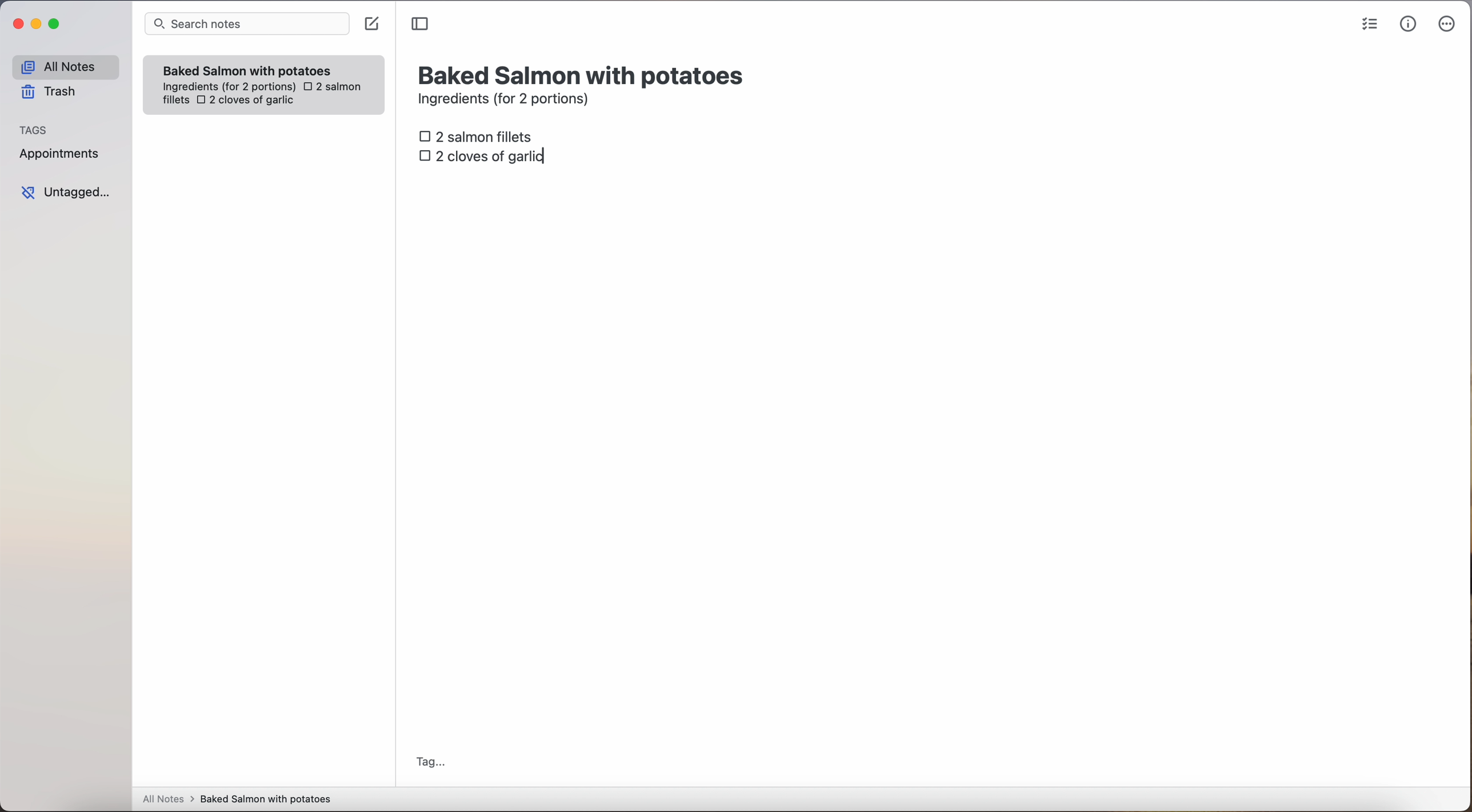 This screenshot has width=1472, height=812. I want to click on minimize Simplenote, so click(36, 25).